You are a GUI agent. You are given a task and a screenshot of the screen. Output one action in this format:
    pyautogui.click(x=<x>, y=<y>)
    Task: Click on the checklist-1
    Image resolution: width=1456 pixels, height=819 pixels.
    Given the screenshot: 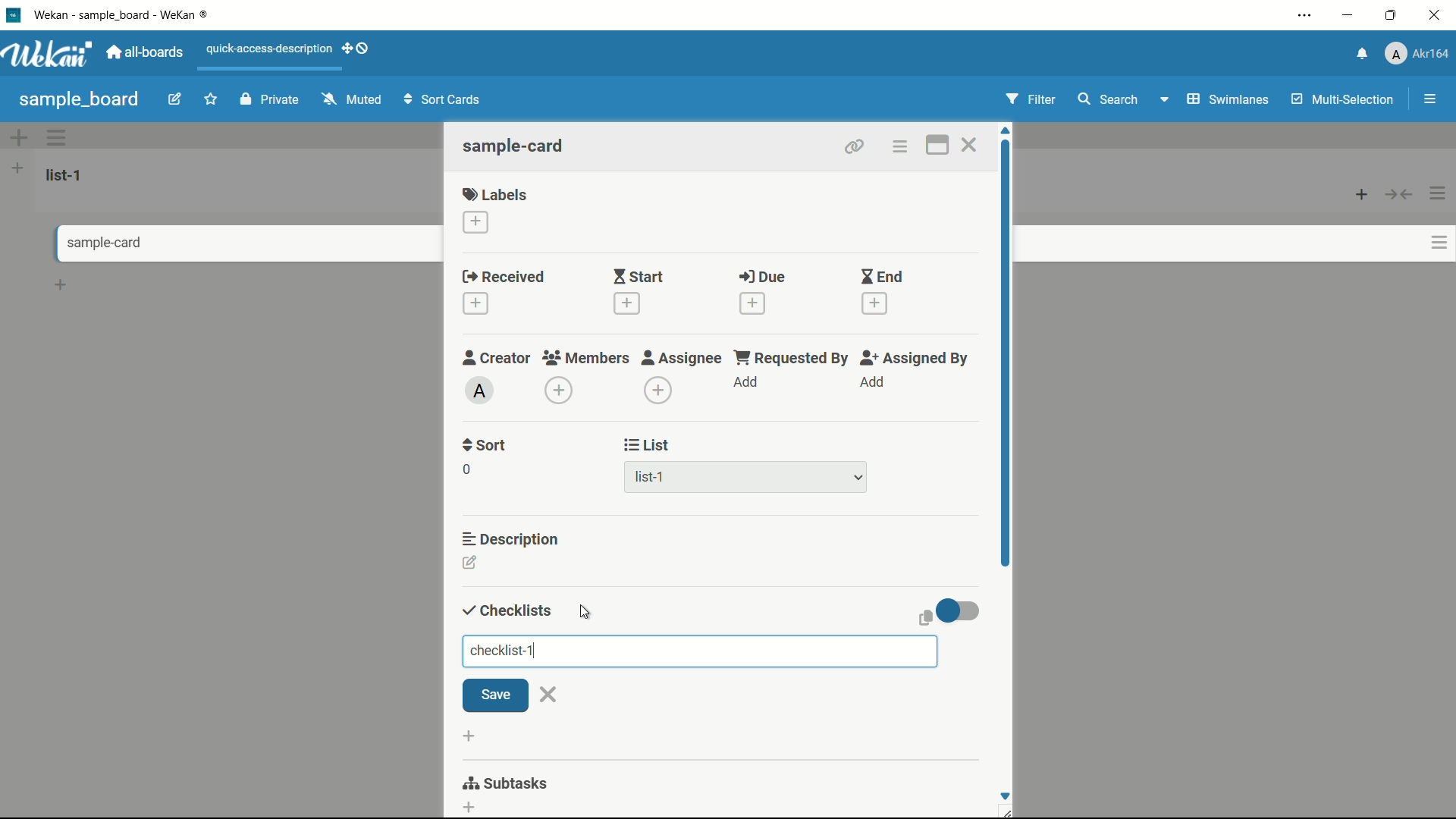 What is the action you would take?
    pyautogui.click(x=507, y=650)
    